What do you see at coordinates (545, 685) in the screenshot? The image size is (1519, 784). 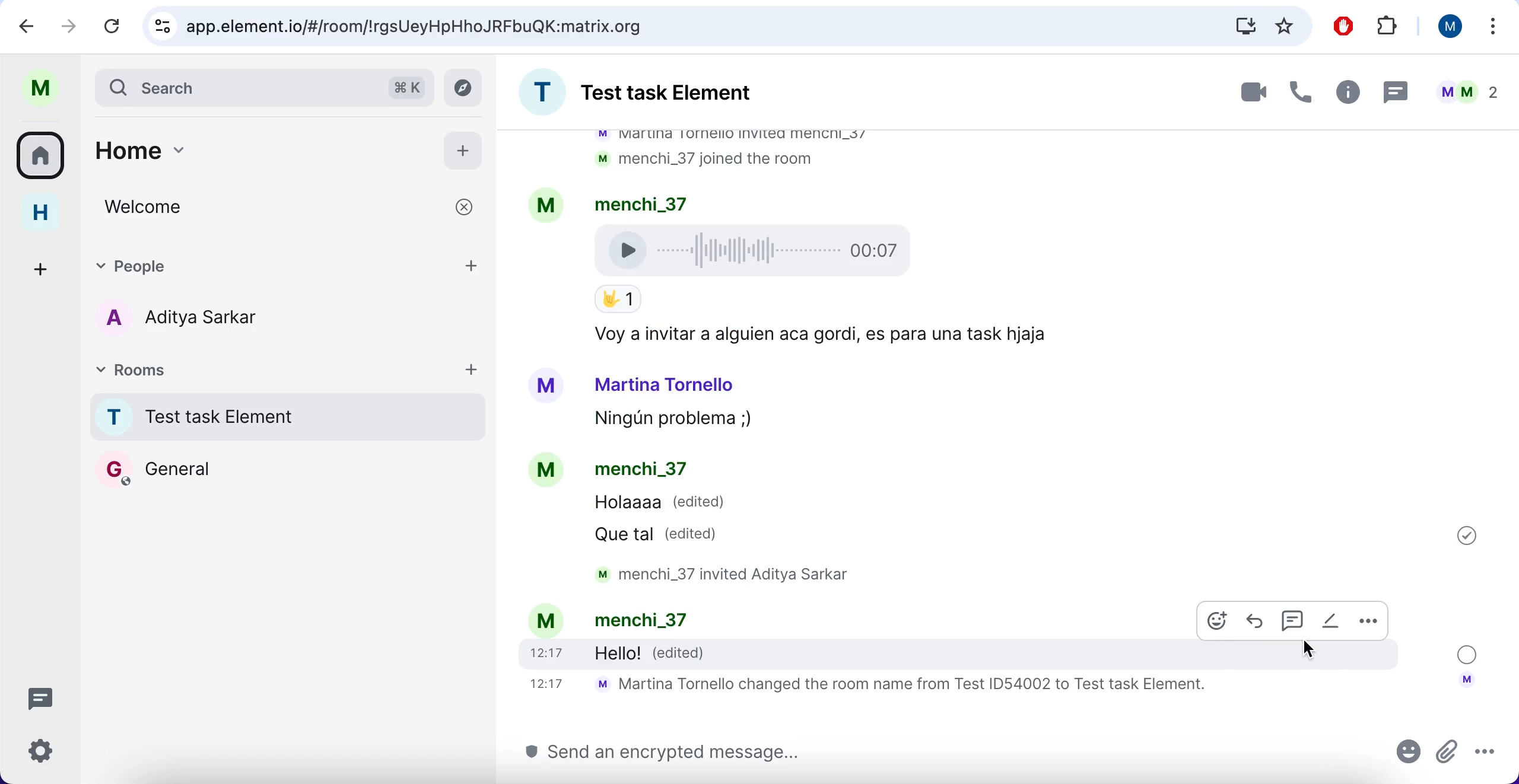 I see `time` at bounding box center [545, 685].